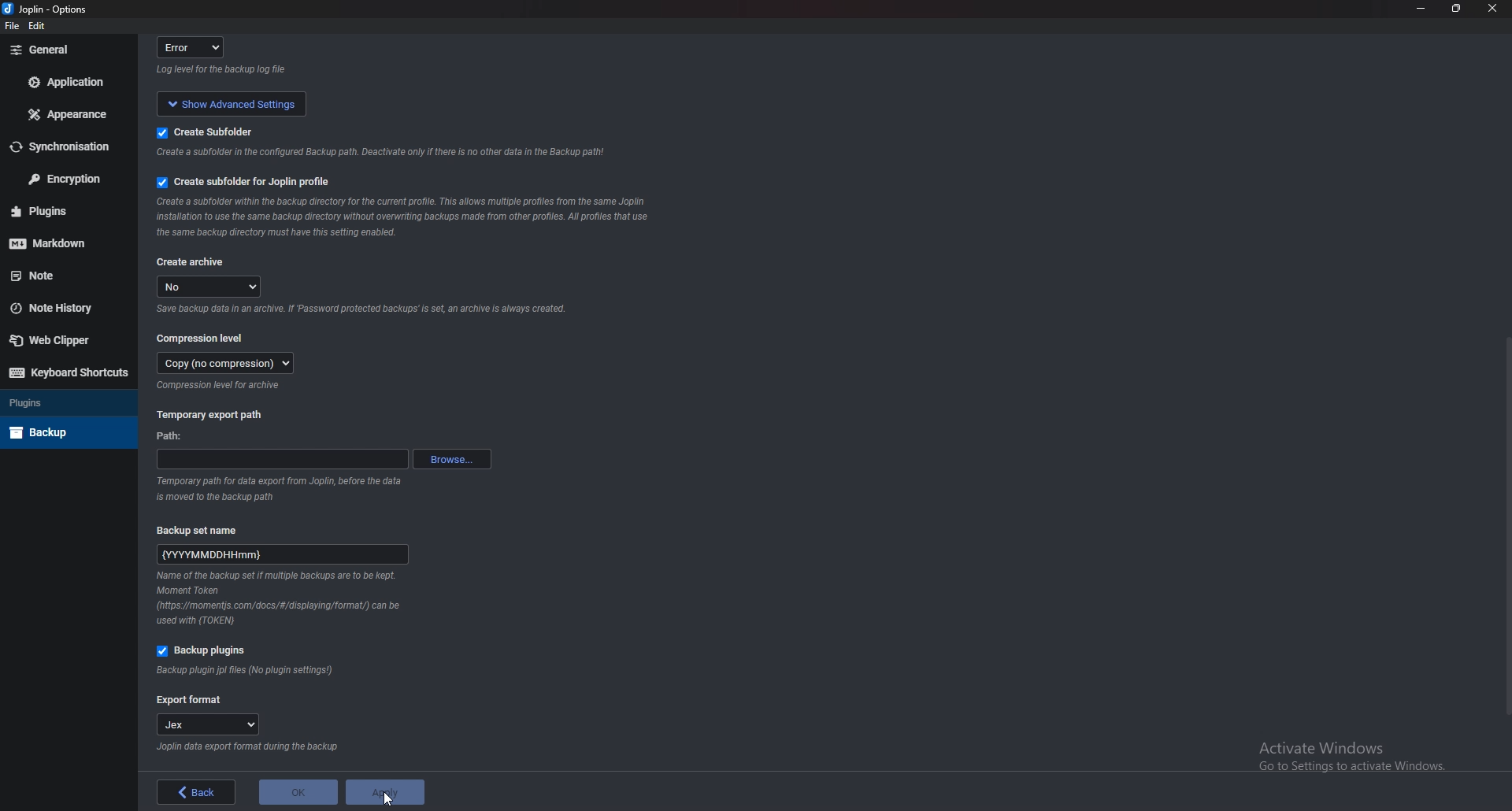 The width and height of the screenshot is (1512, 811). I want to click on error, so click(195, 46).